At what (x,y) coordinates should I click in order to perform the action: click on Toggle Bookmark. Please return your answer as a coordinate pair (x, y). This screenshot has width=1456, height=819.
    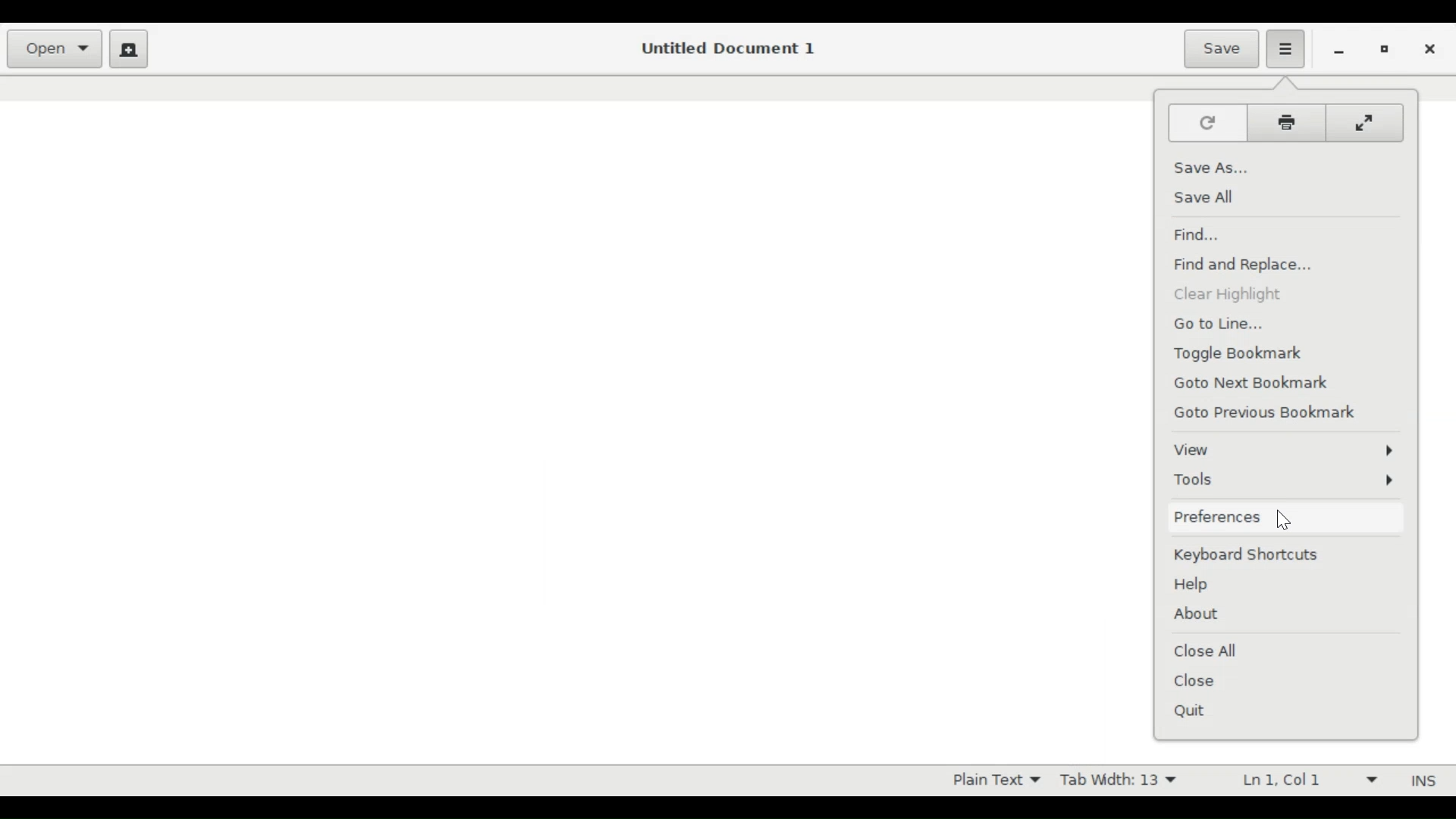
    Looking at the image, I should click on (1253, 355).